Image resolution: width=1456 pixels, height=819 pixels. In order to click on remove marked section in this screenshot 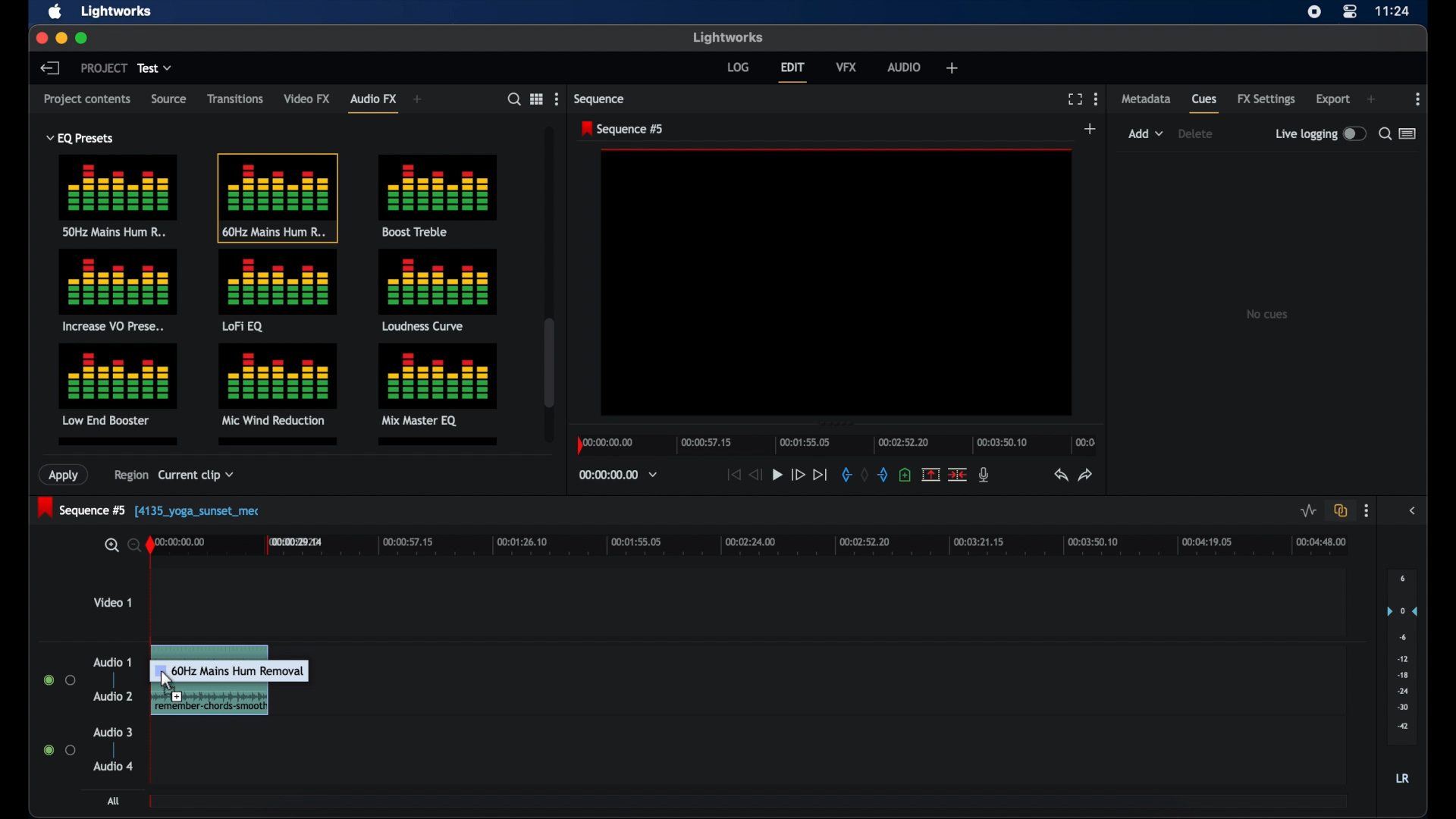, I will do `click(930, 474)`.